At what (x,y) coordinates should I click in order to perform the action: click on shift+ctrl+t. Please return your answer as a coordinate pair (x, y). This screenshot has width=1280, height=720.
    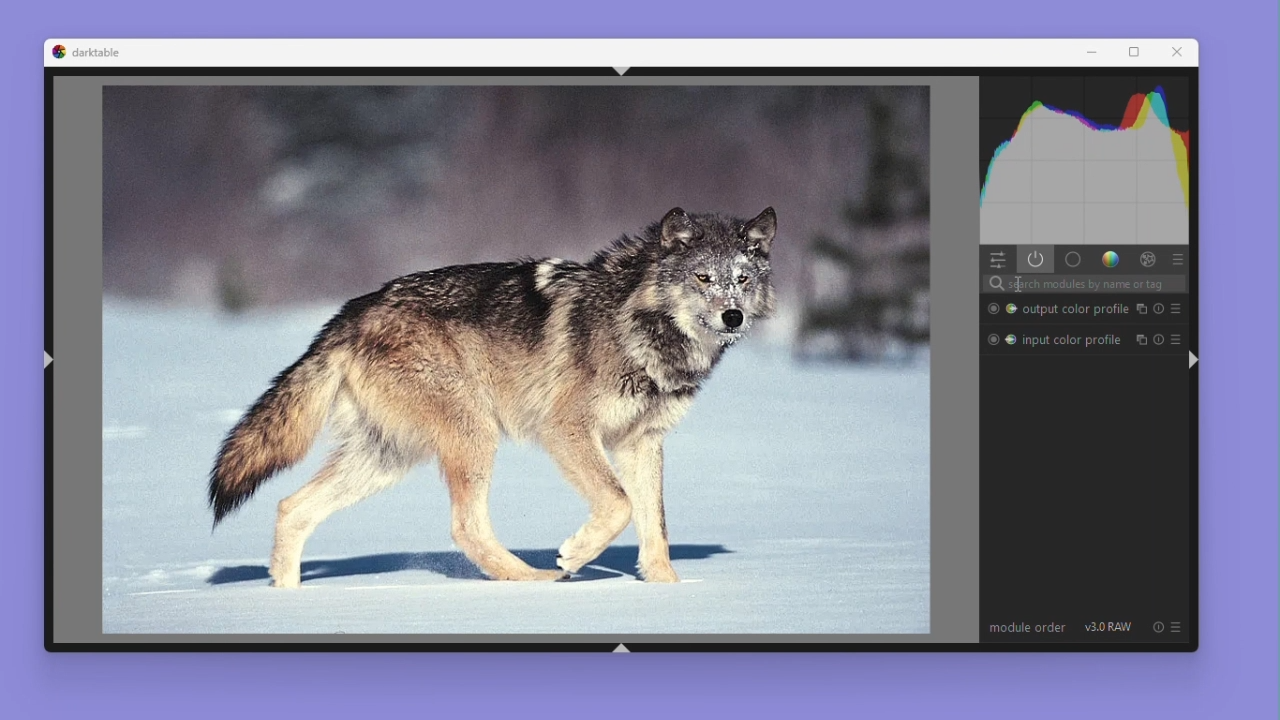
    Looking at the image, I should click on (619, 71).